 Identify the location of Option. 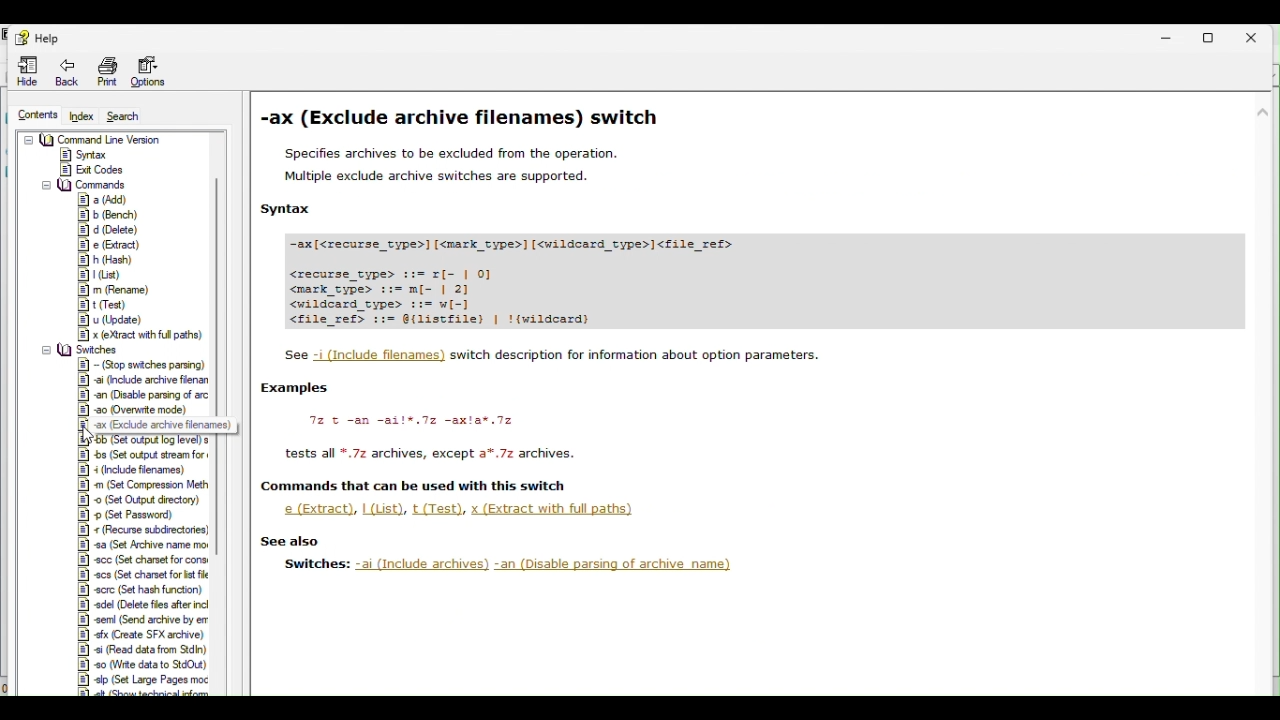
(153, 72).